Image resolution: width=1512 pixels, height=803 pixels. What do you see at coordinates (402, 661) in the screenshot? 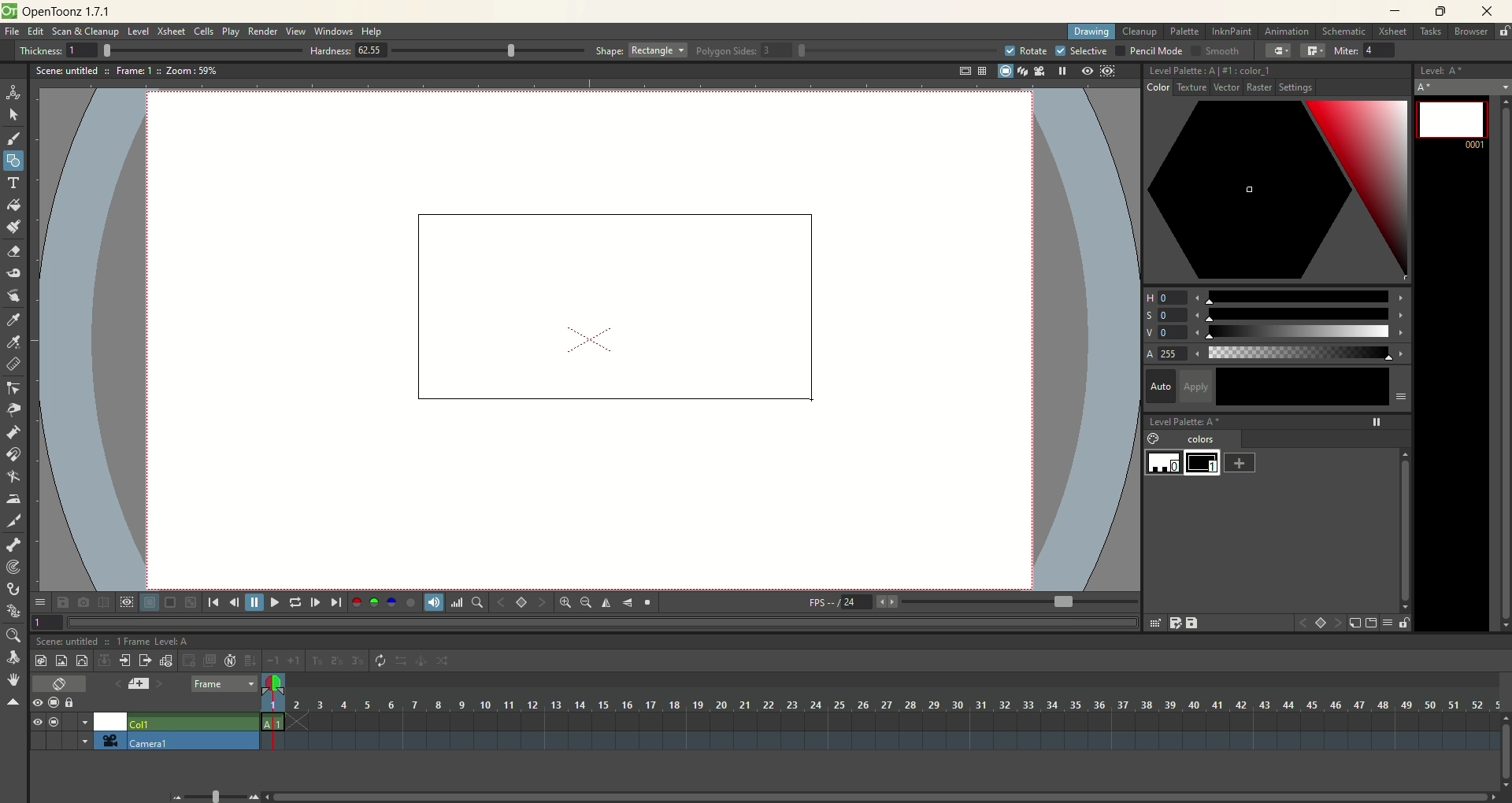
I see `reverse` at bounding box center [402, 661].